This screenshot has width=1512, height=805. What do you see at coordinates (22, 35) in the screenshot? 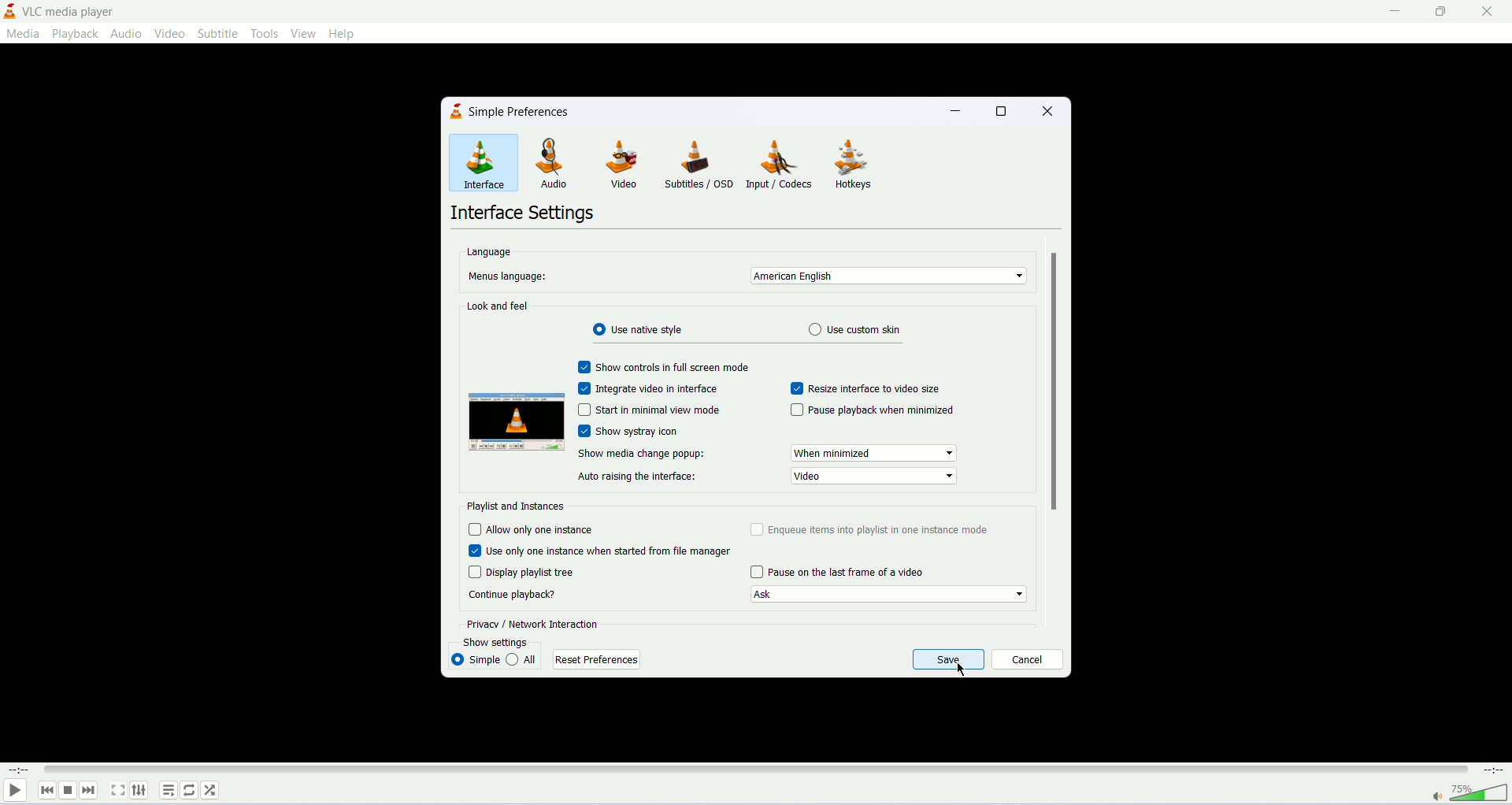
I see `media` at bounding box center [22, 35].